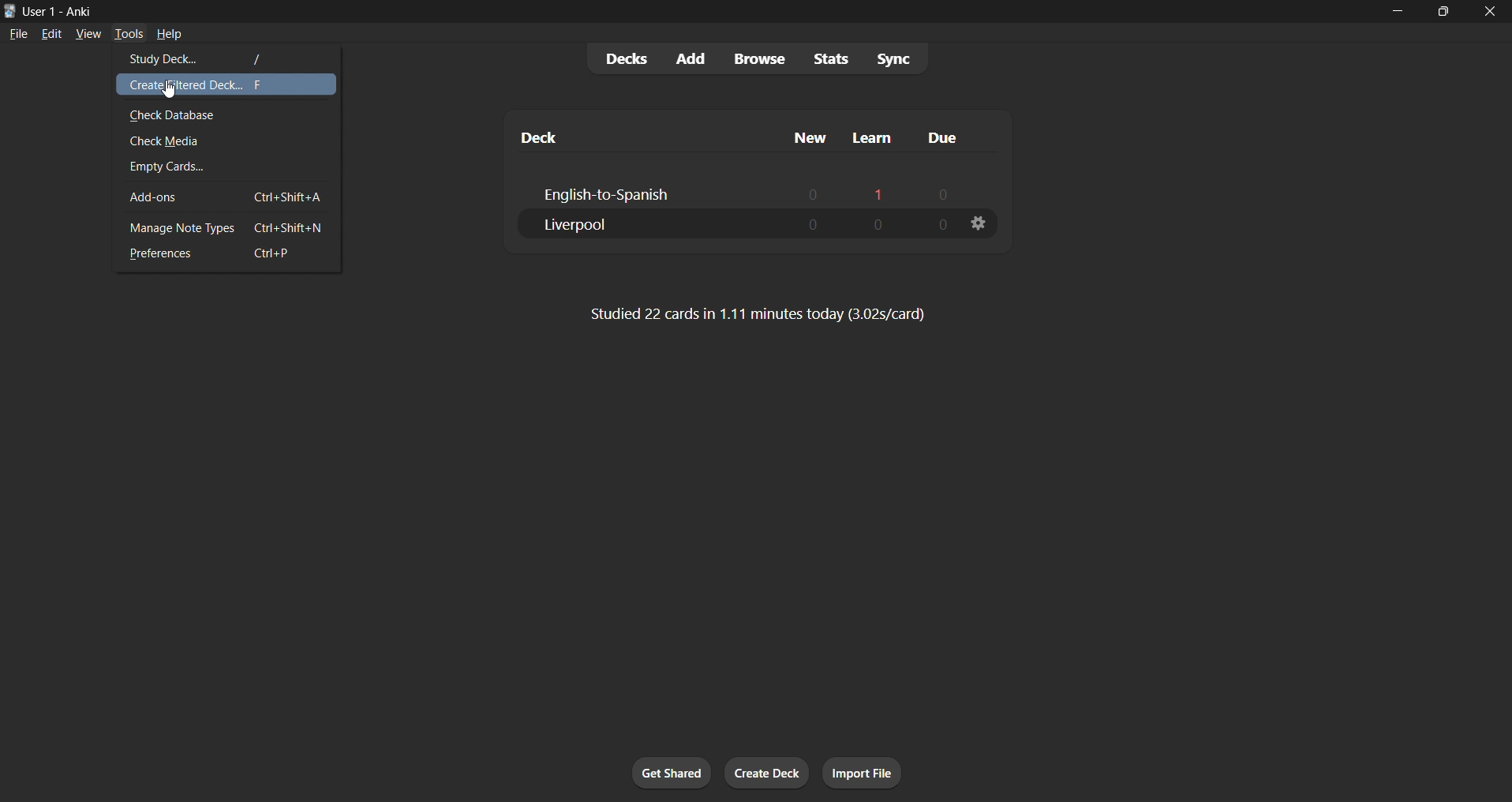 This screenshot has width=1512, height=802. What do you see at coordinates (862, 773) in the screenshot?
I see `import file` at bounding box center [862, 773].